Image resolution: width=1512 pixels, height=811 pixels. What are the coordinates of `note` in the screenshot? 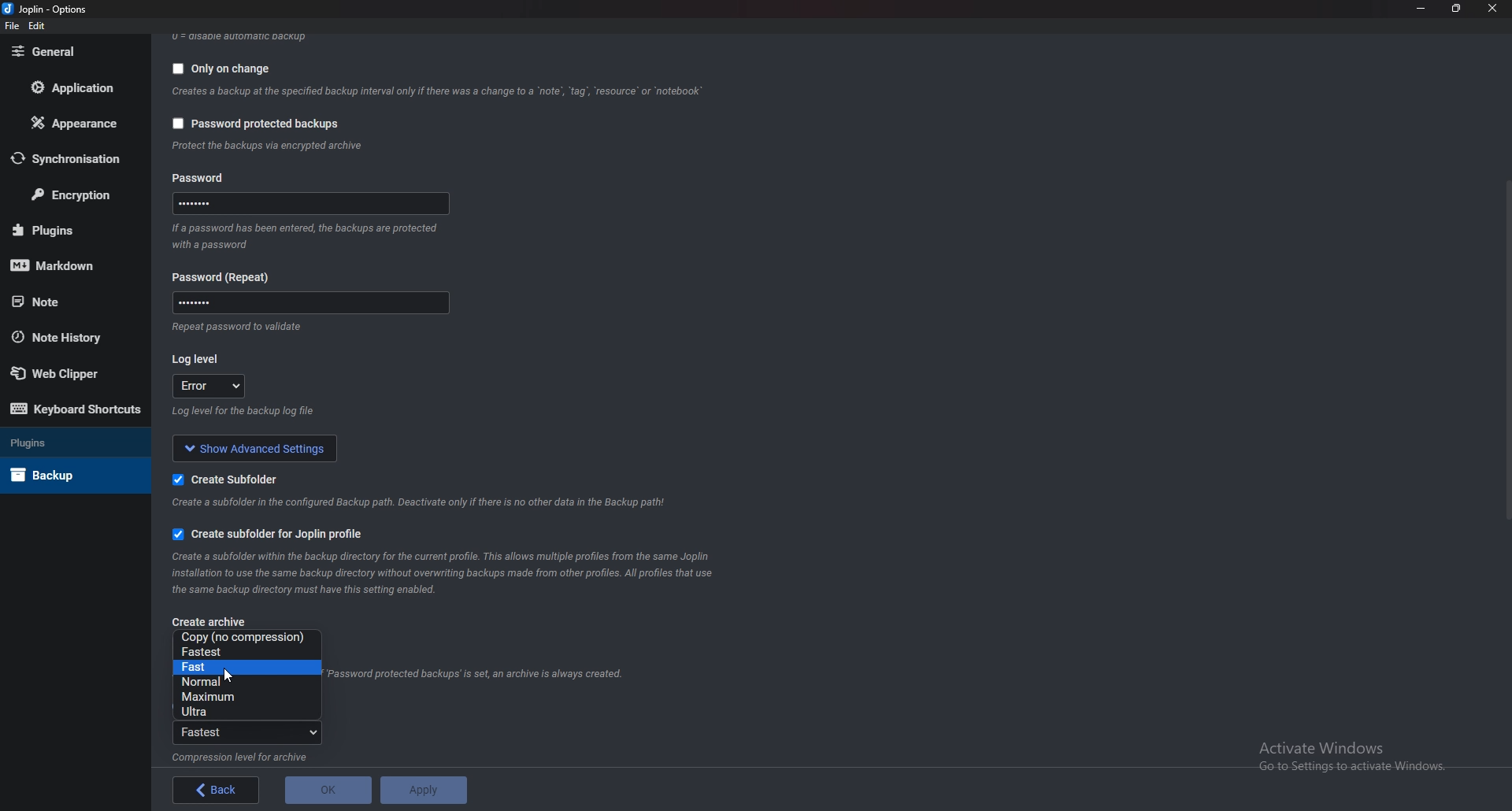 It's located at (64, 302).